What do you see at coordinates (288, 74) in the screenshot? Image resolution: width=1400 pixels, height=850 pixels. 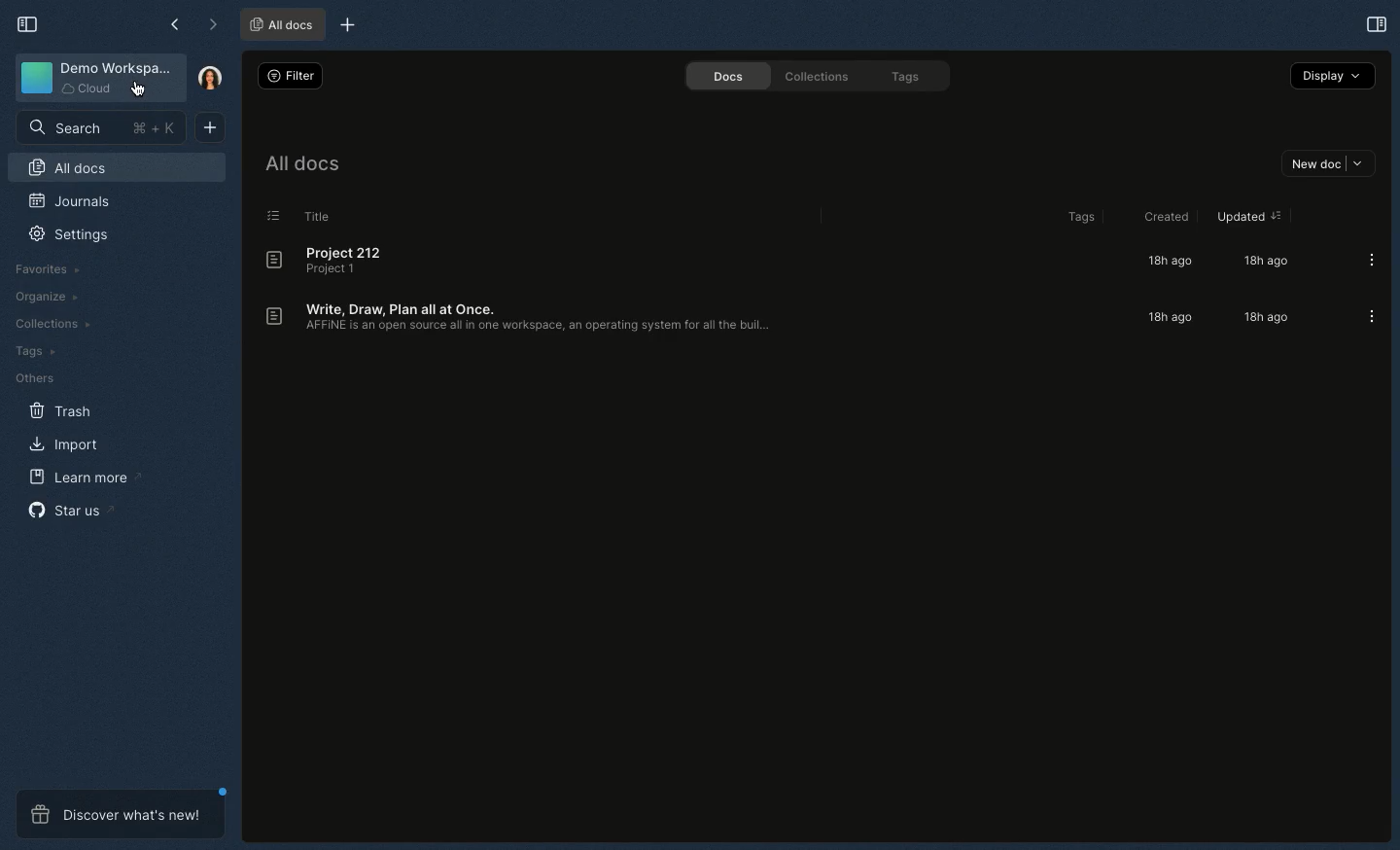 I see `Filter` at bounding box center [288, 74].